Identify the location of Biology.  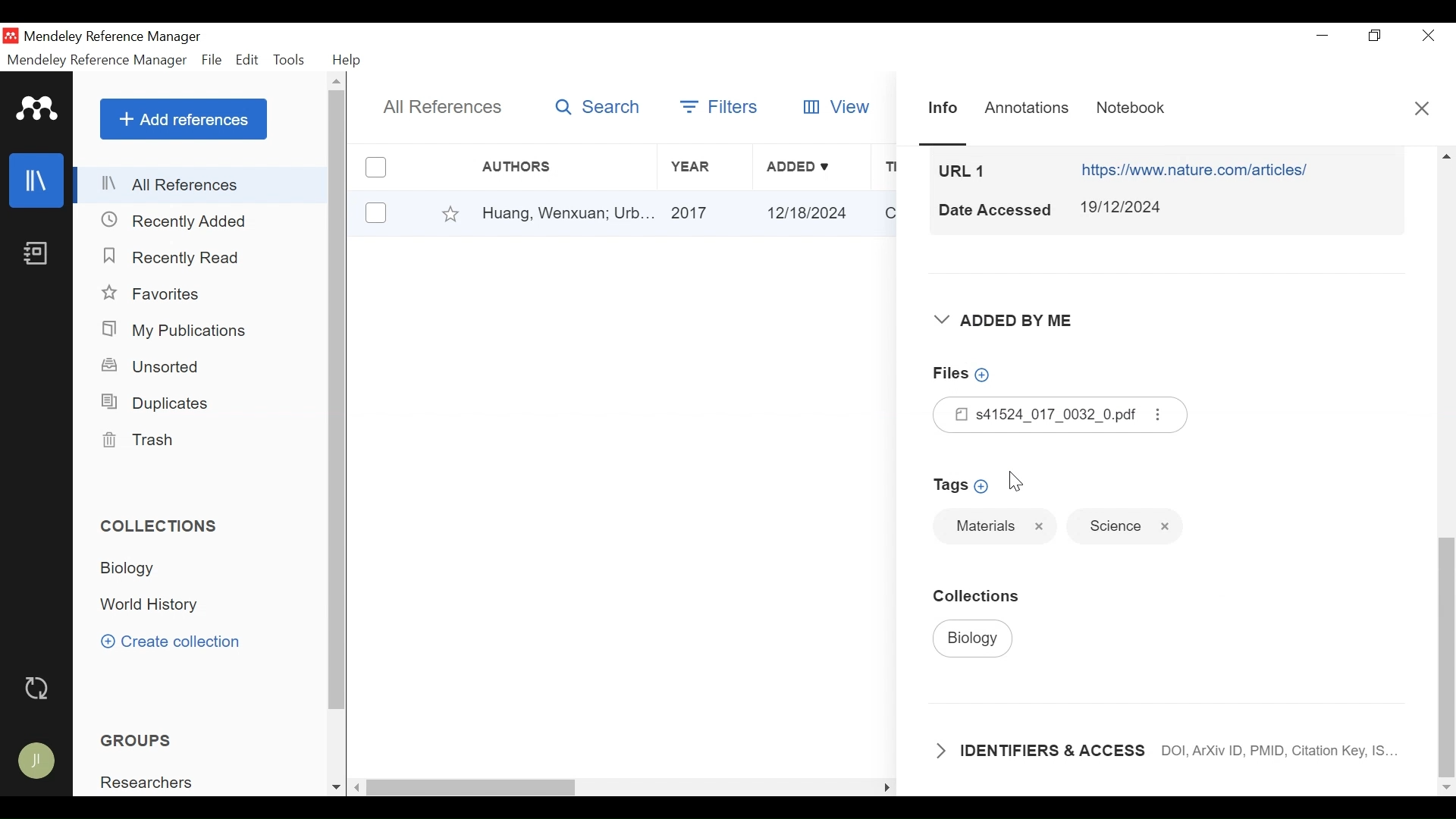
(974, 639).